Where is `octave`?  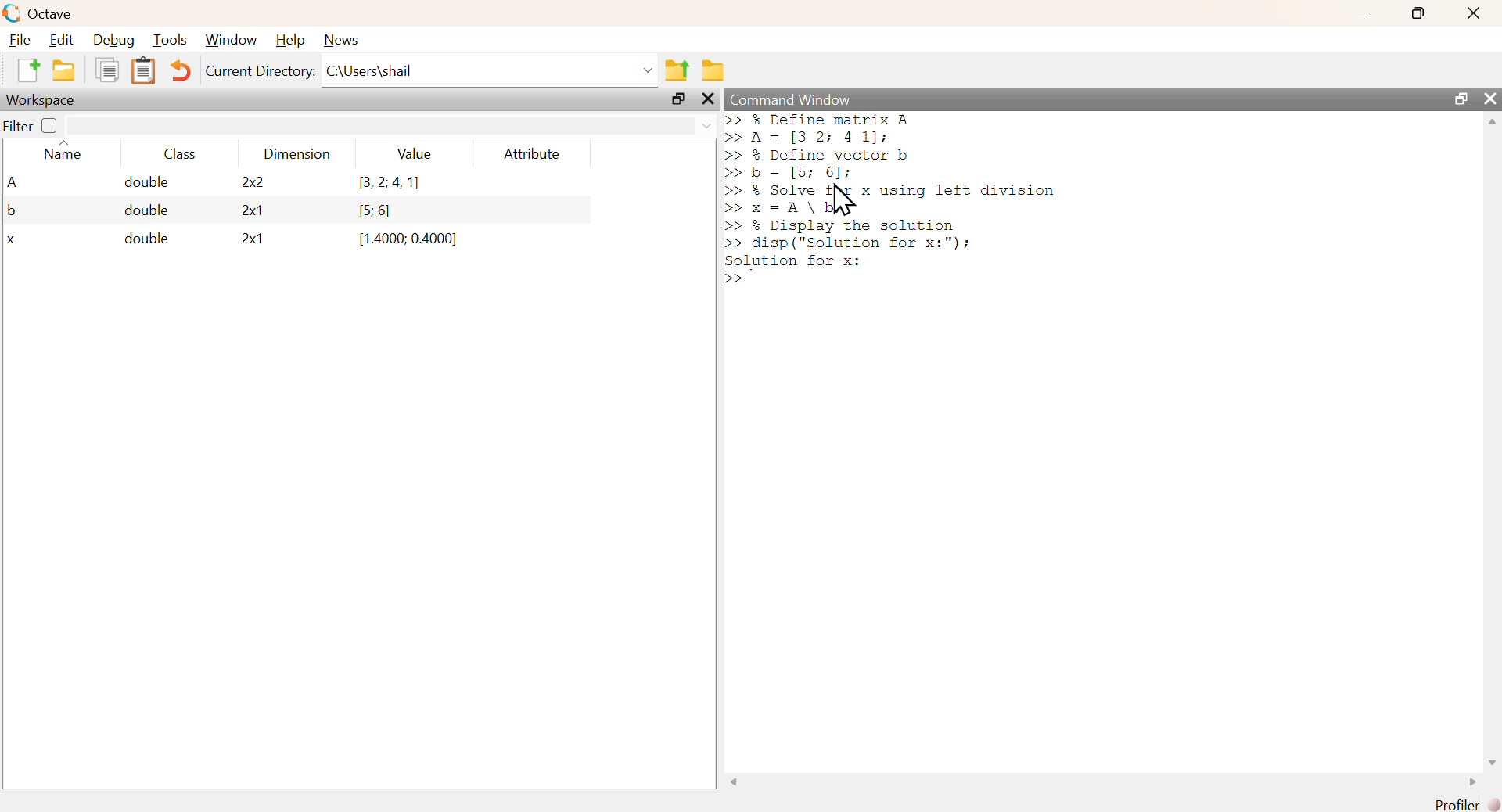
octave is located at coordinates (40, 13).